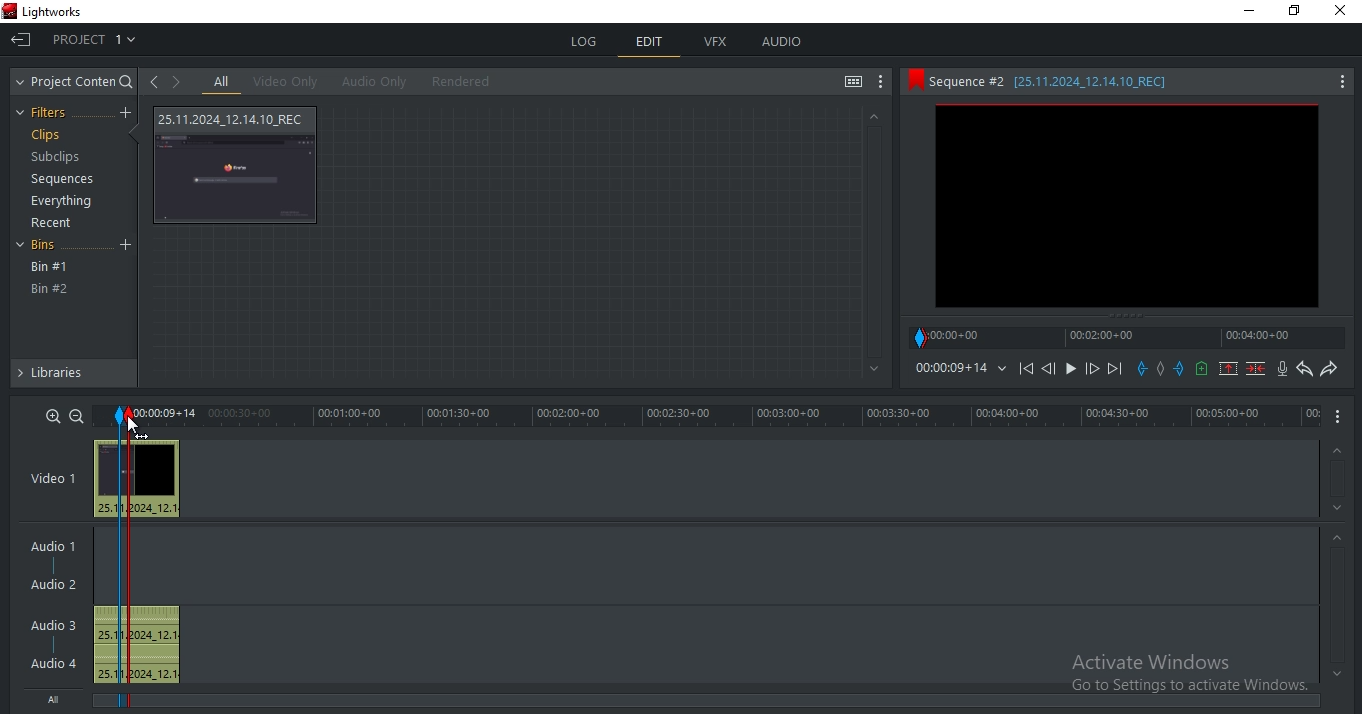  What do you see at coordinates (76, 82) in the screenshot?
I see `project content` at bounding box center [76, 82].